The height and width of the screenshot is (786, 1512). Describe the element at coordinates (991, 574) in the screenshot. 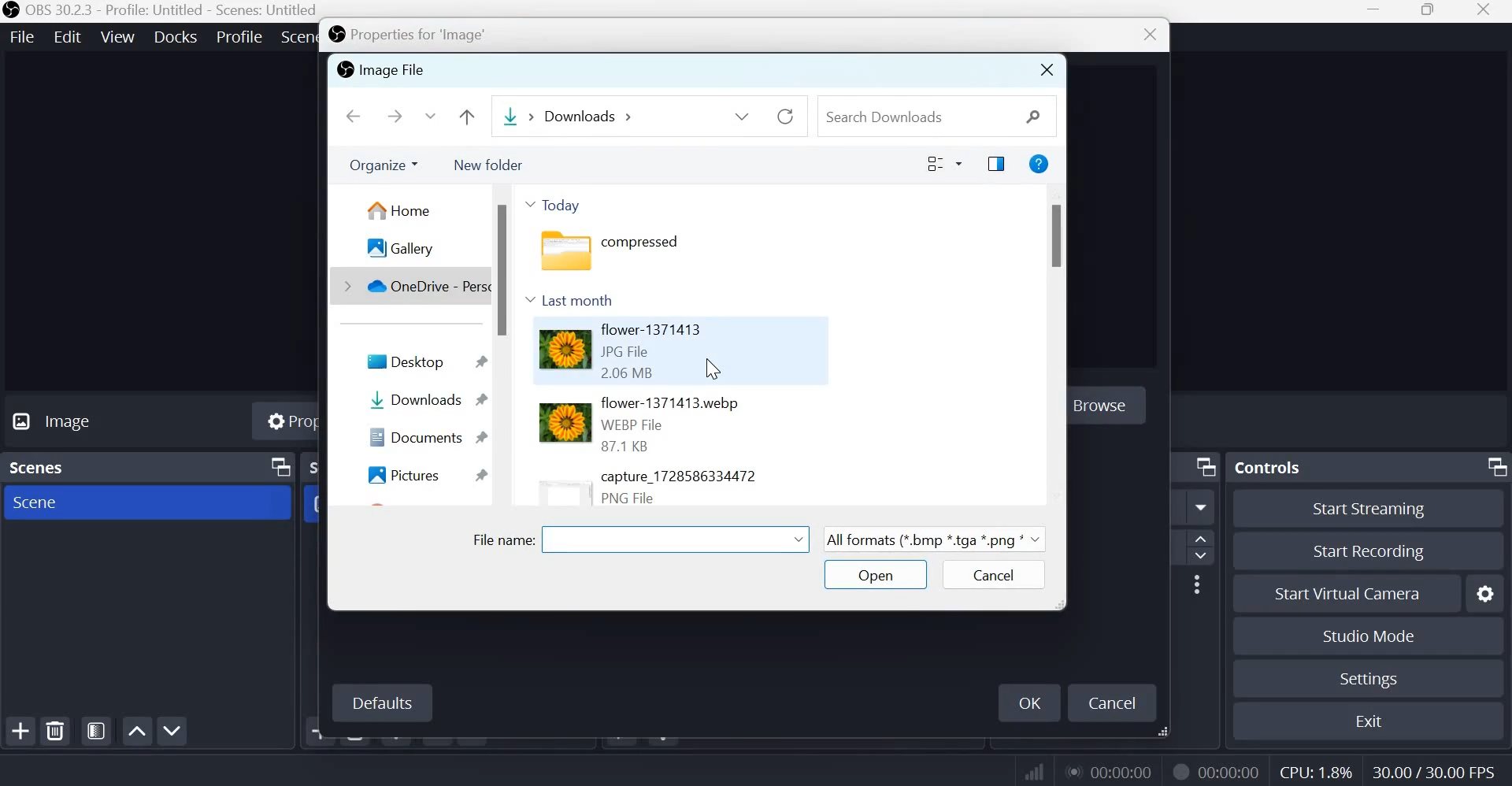

I see `cancel` at that location.